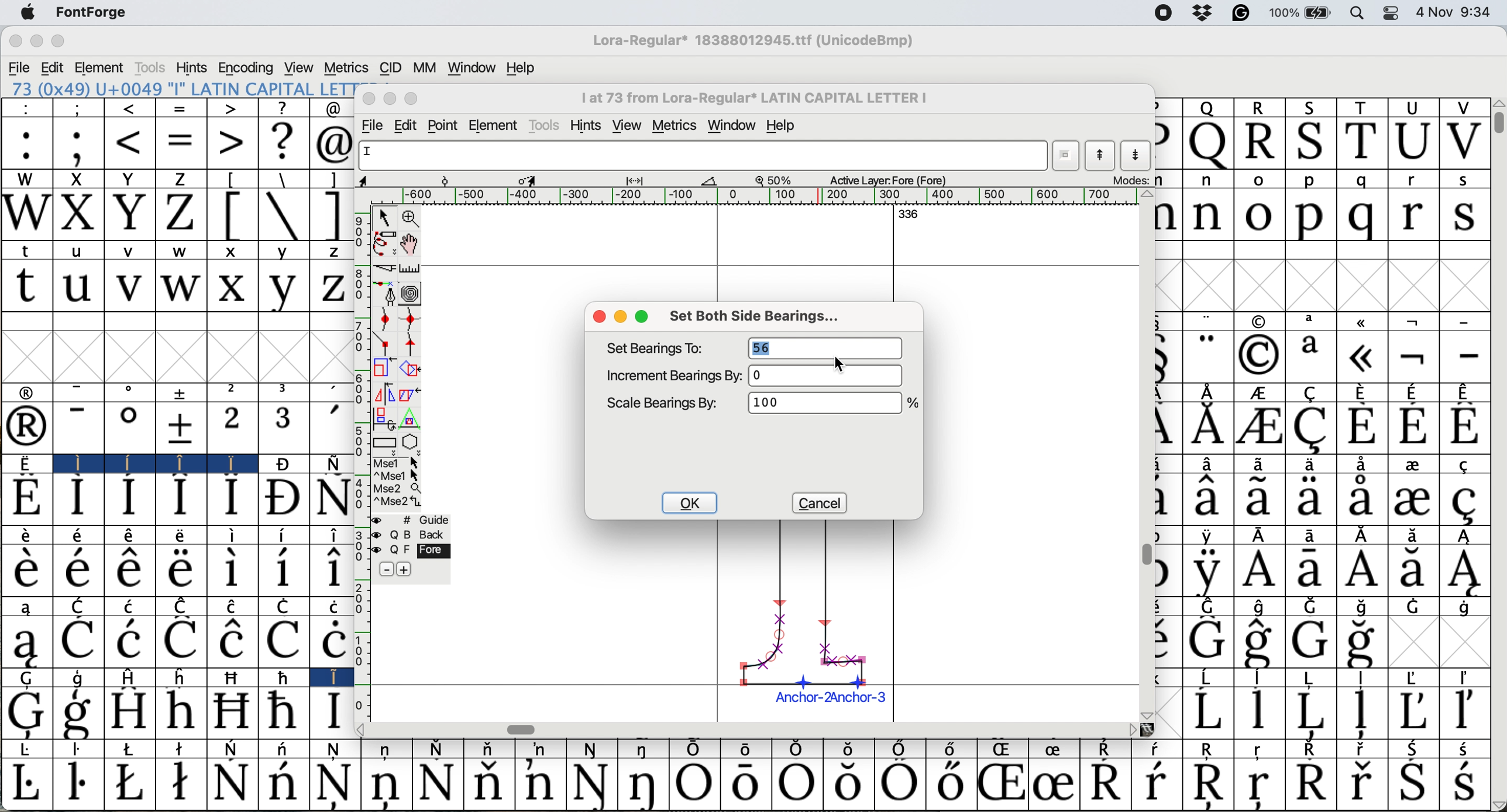  Describe the element at coordinates (1150, 729) in the screenshot. I see `` at that location.